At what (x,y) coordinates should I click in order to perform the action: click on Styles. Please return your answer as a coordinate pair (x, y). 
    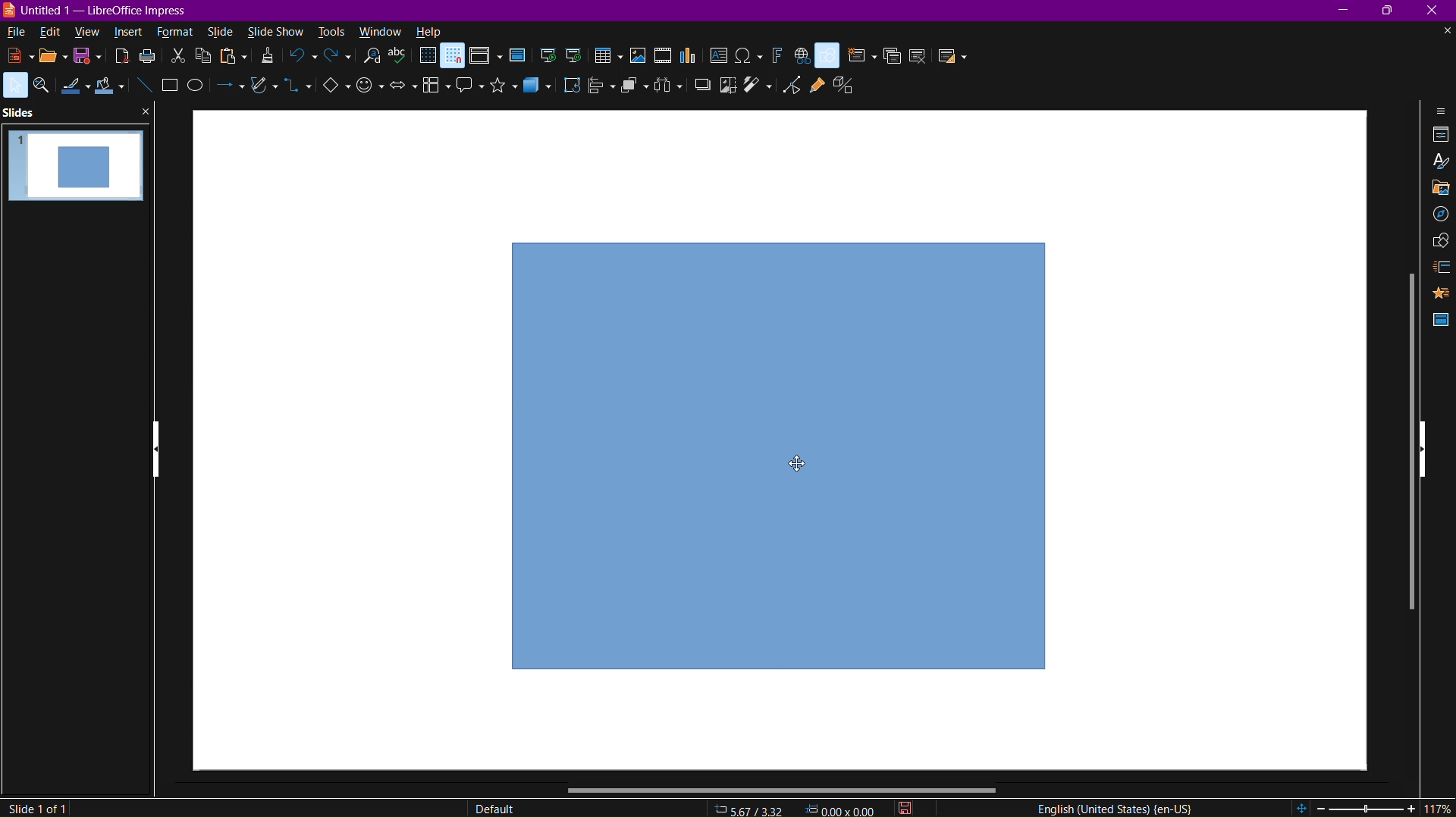
    Looking at the image, I should click on (1438, 162).